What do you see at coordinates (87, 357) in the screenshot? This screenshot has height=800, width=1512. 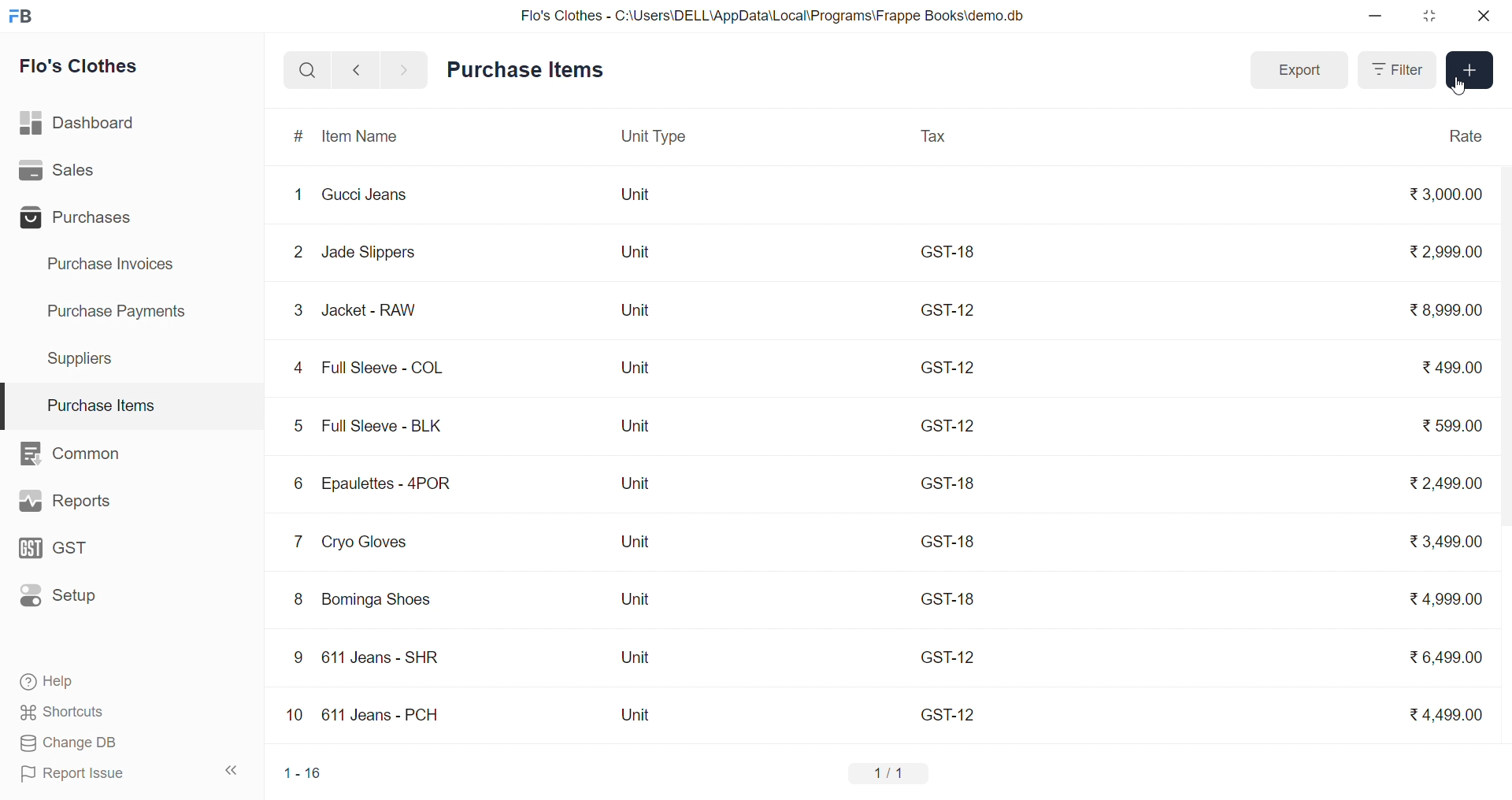 I see `Suppliers` at bounding box center [87, 357].